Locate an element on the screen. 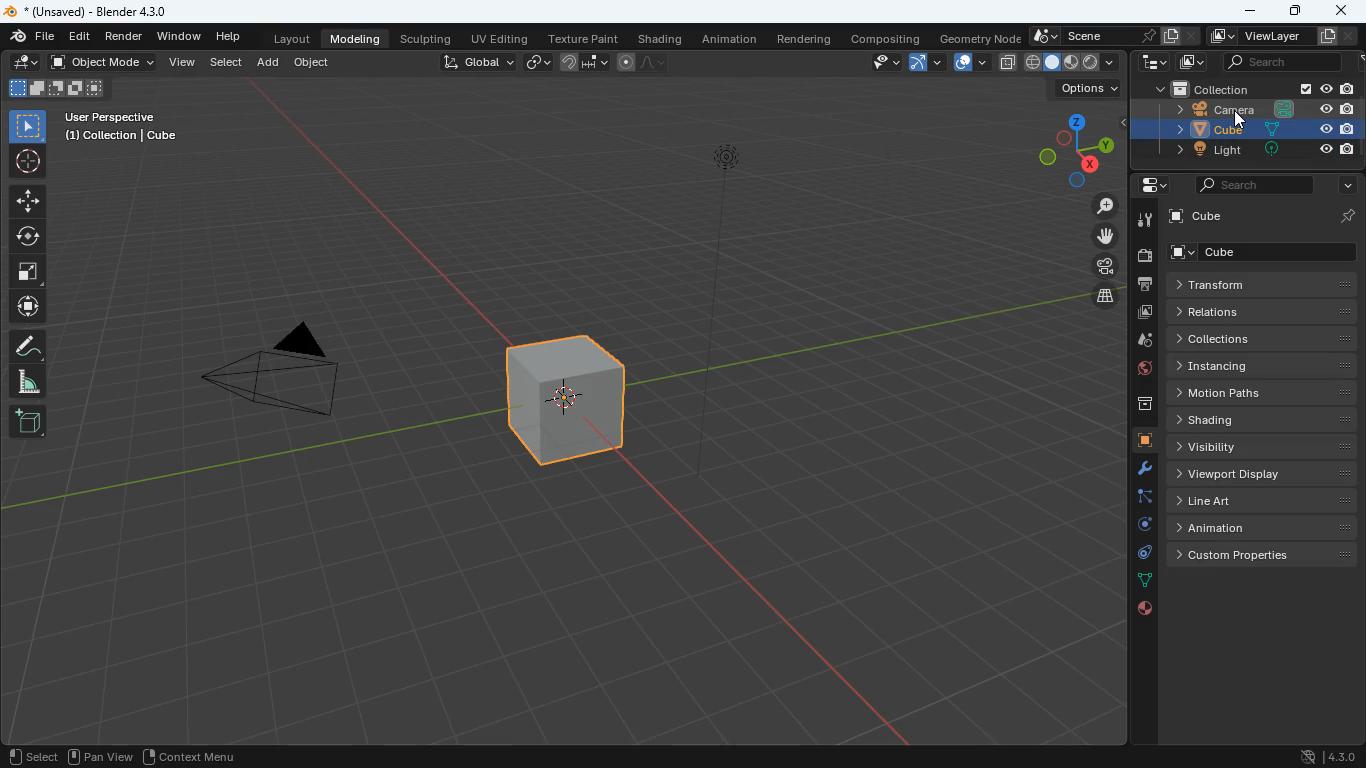 This screenshot has height=768, width=1366. aim is located at coordinates (32, 161).